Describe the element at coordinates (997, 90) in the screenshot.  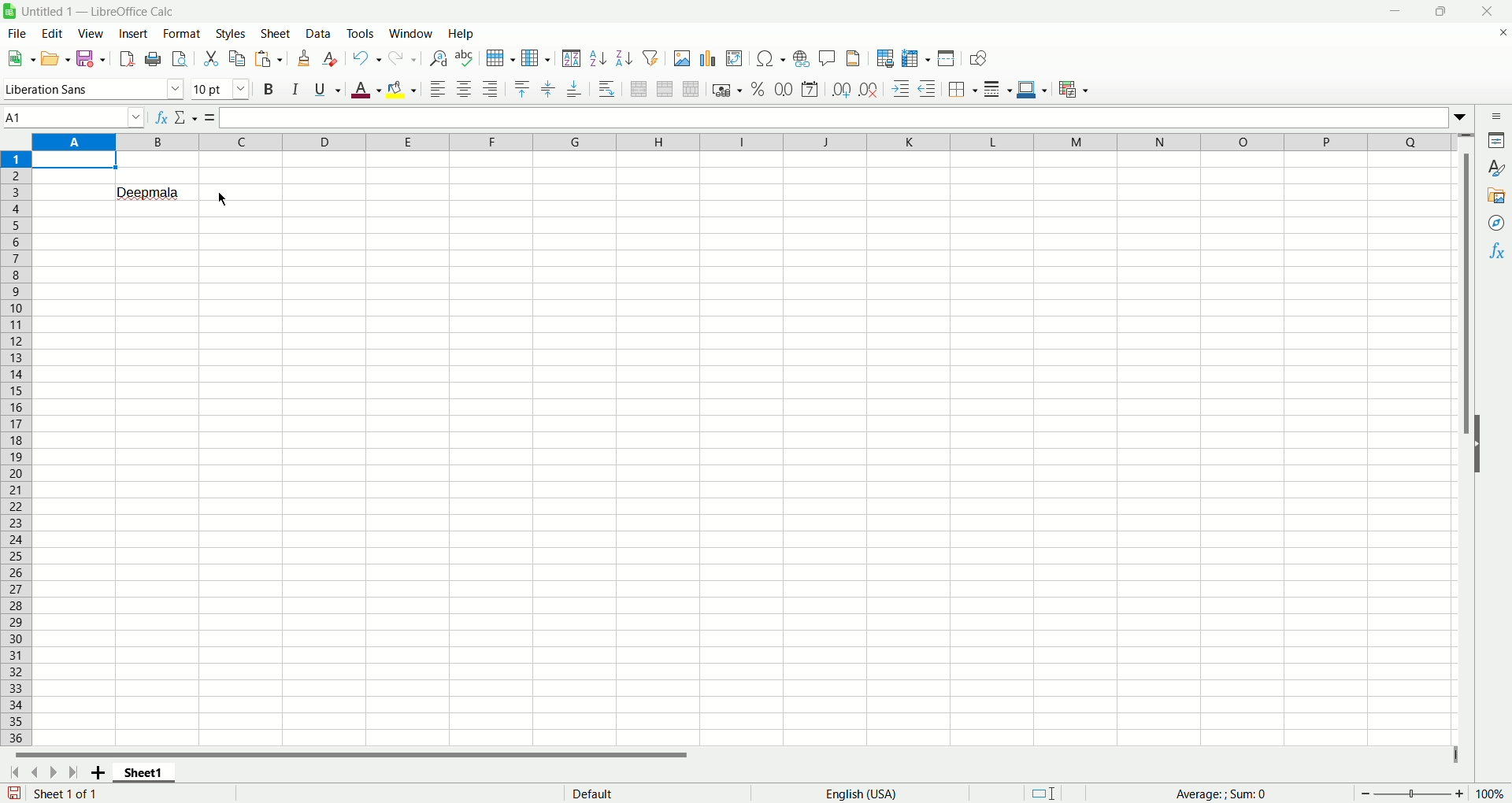
I see `Border style` at that location.